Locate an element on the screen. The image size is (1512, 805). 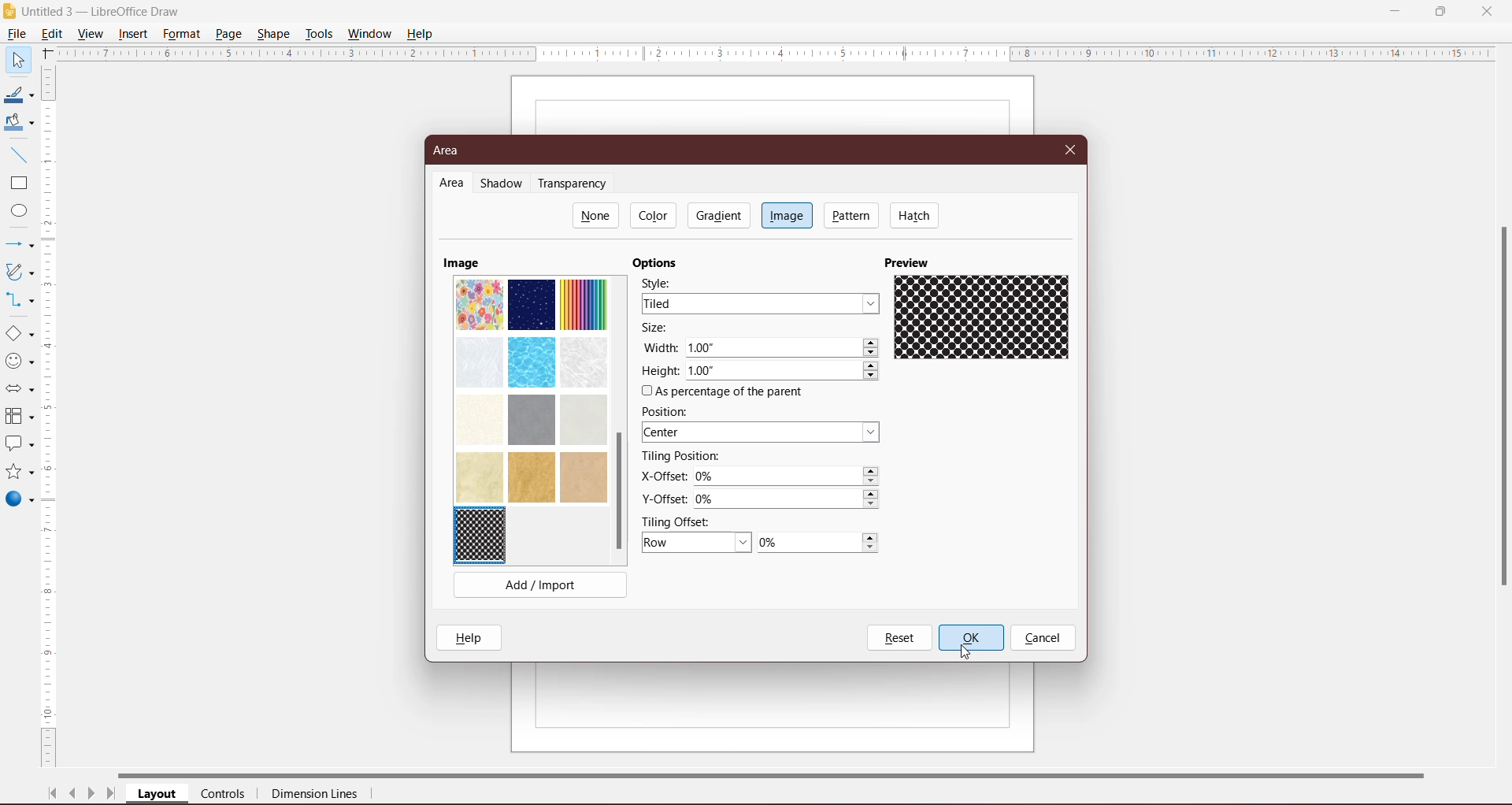
Edit is located at coordinates (55, 32).